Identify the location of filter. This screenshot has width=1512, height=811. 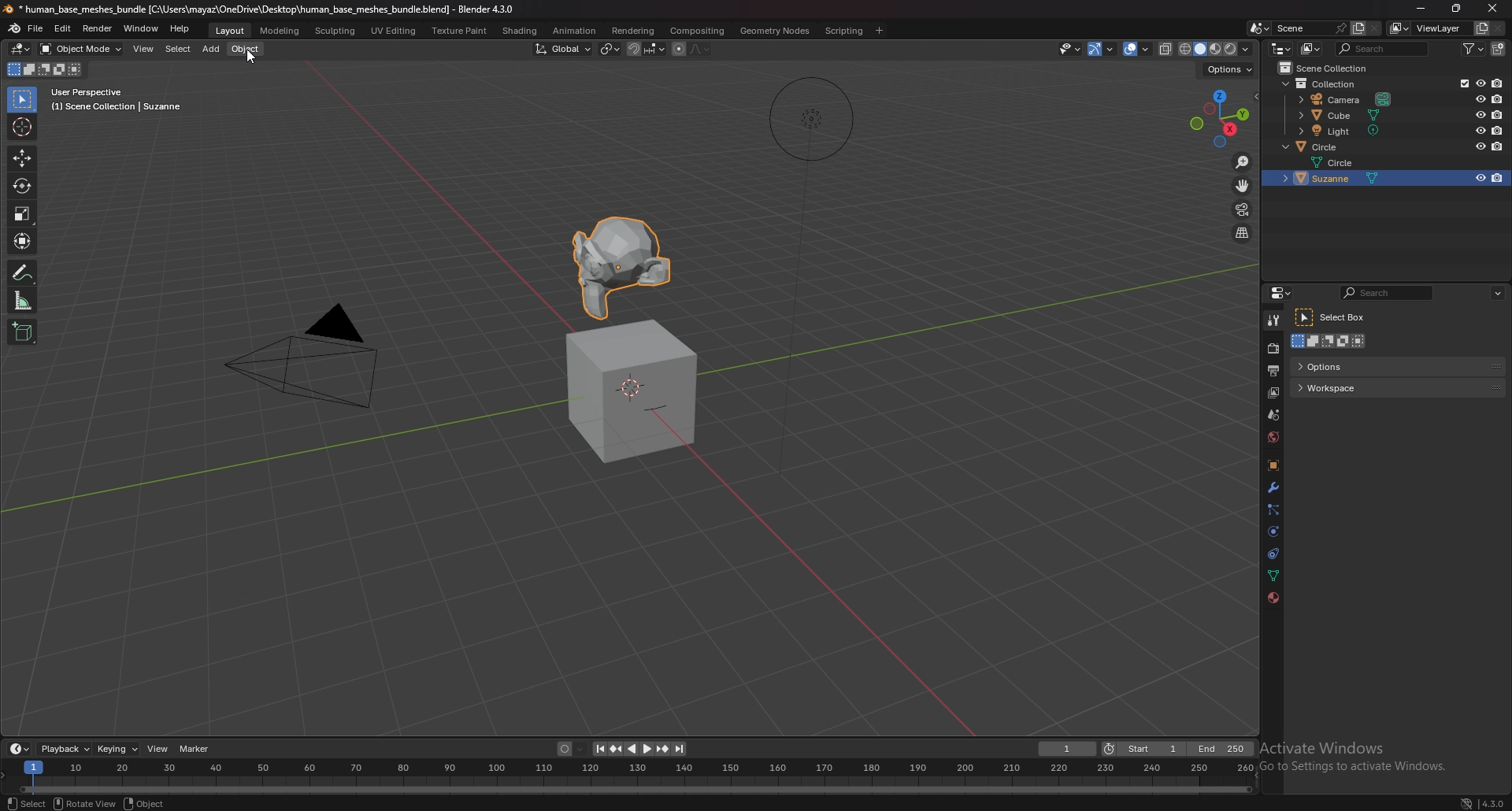
(1473, 49).